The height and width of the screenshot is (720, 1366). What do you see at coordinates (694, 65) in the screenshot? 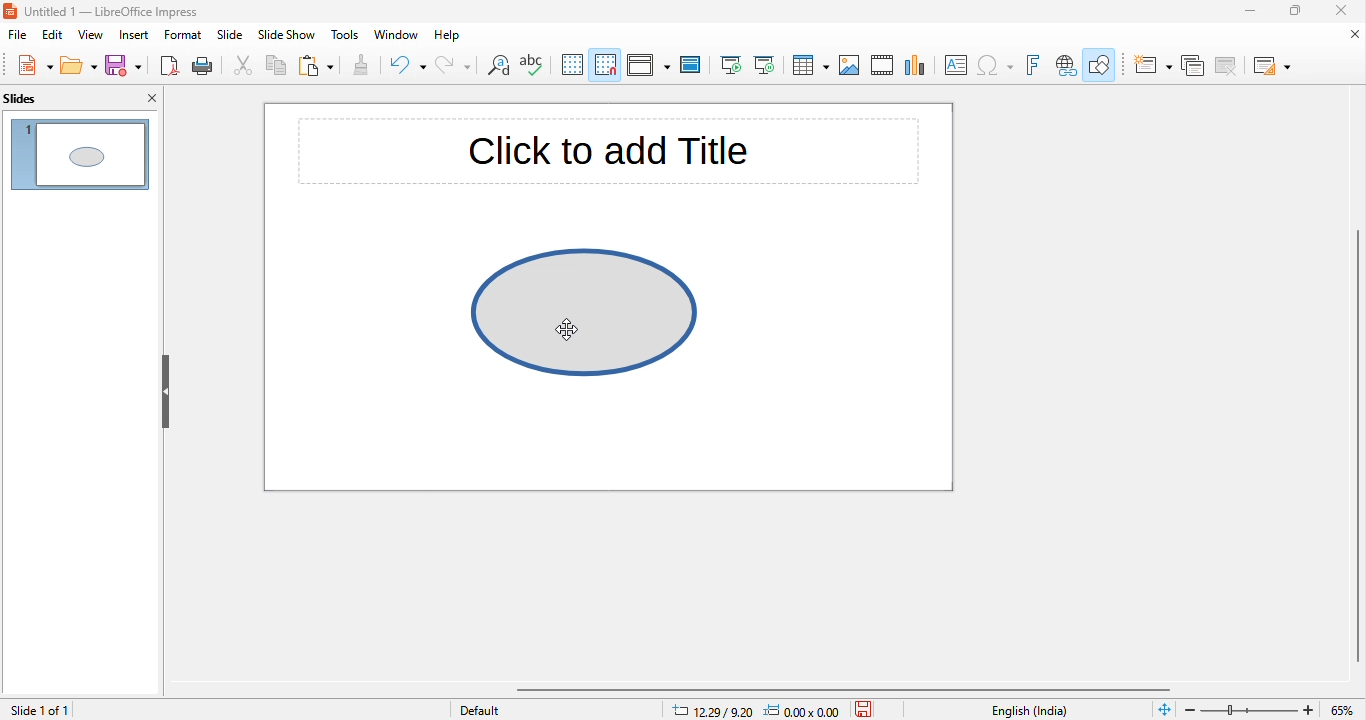
I see `master slide` at bounding box center [694, 65].